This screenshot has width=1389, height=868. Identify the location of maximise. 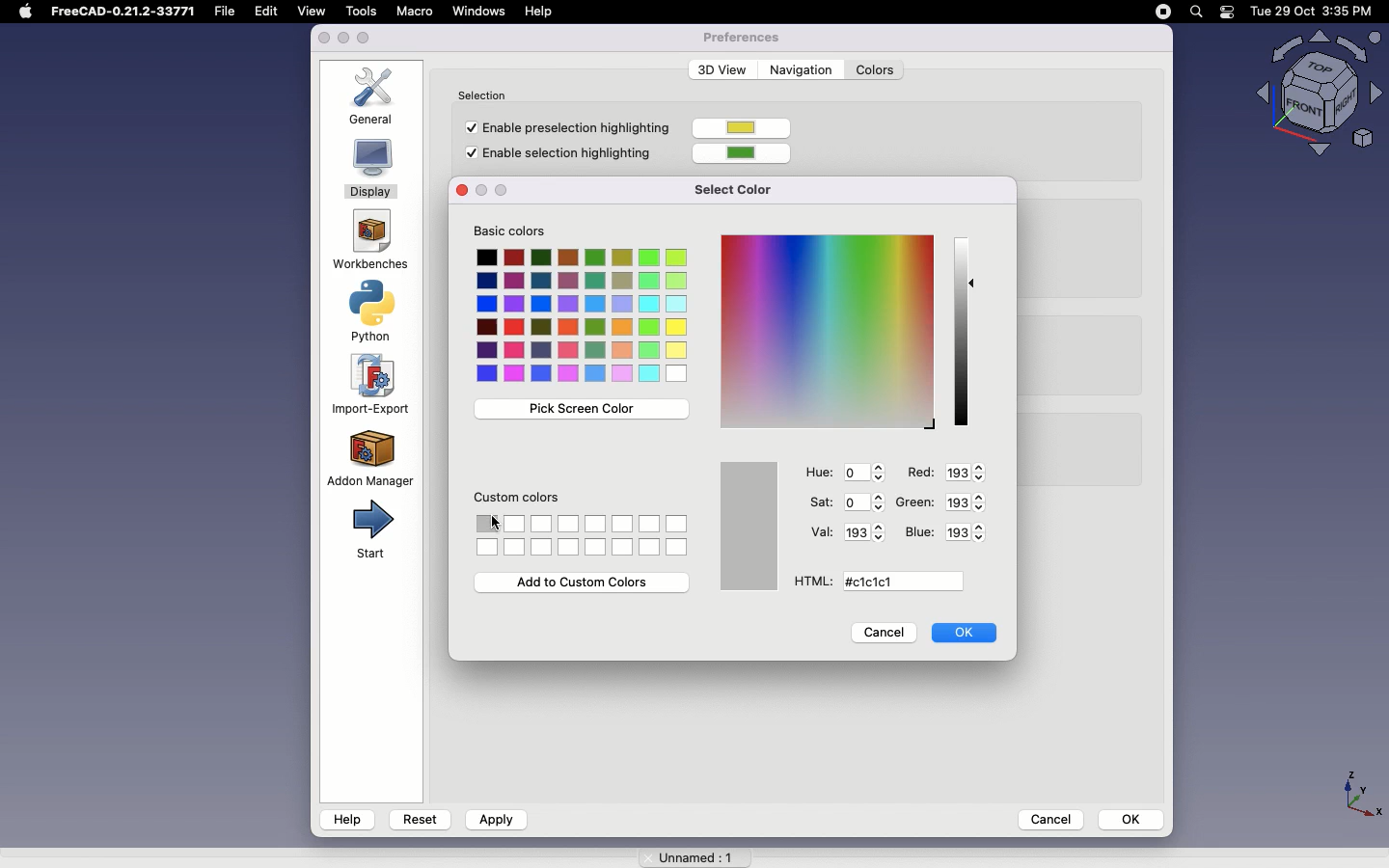
(367, 38).